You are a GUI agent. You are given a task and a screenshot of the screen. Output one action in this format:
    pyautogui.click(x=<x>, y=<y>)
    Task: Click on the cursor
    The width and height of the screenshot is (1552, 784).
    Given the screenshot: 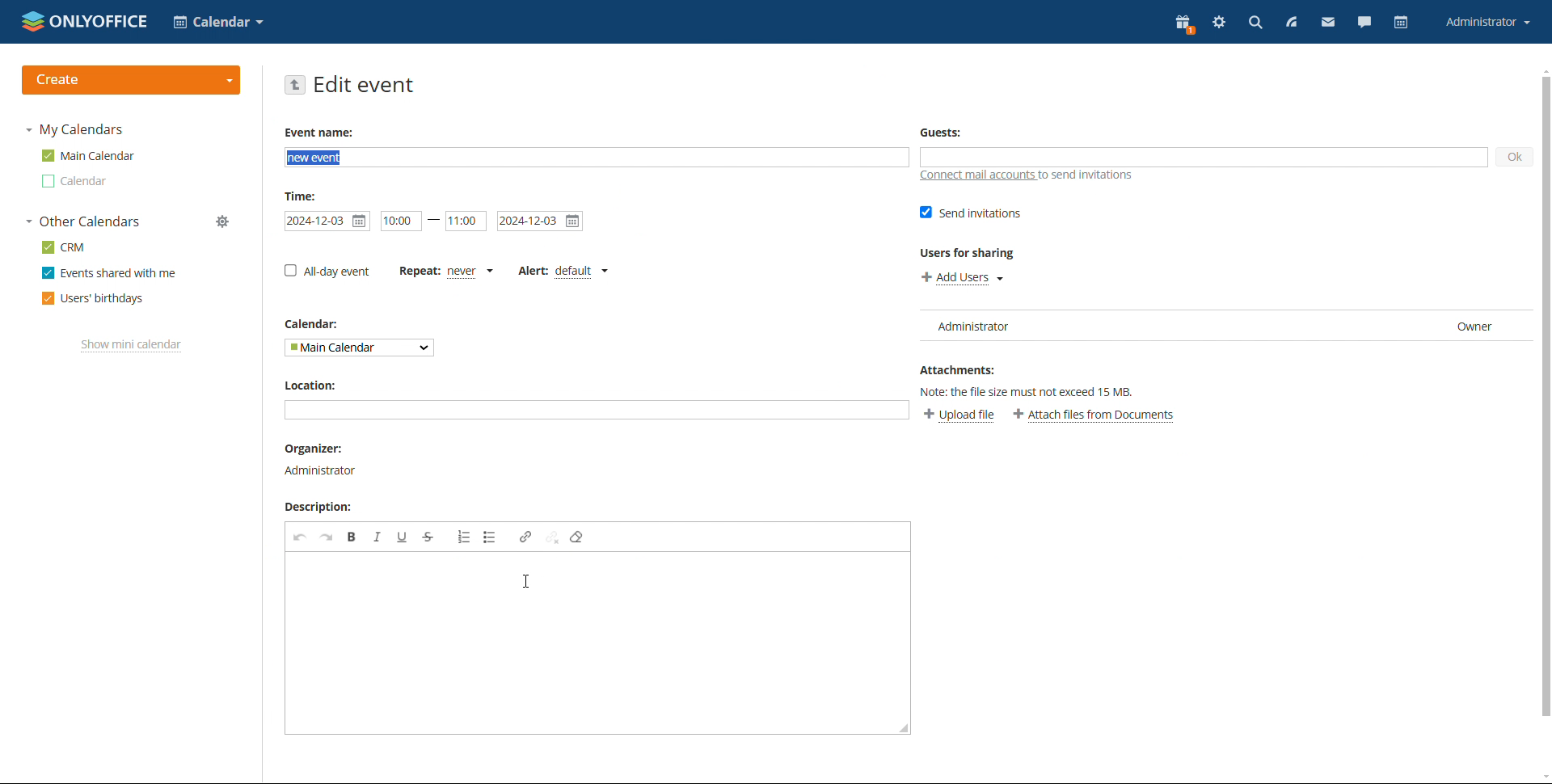 What is the action you would take?
    pyautogui.click(x=526, y=582)
    